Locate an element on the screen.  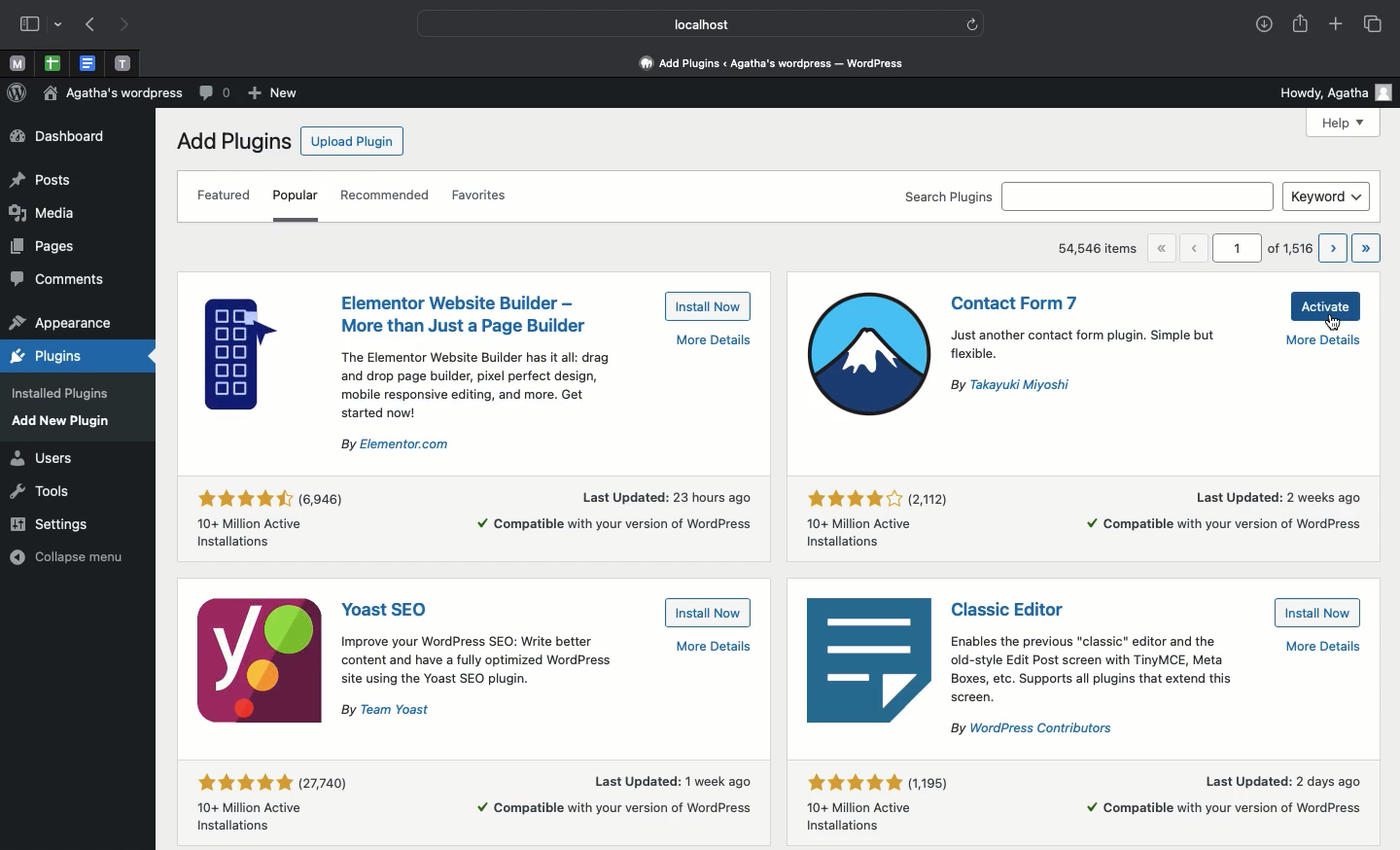
Activate is located at coordinates (1324, 307).